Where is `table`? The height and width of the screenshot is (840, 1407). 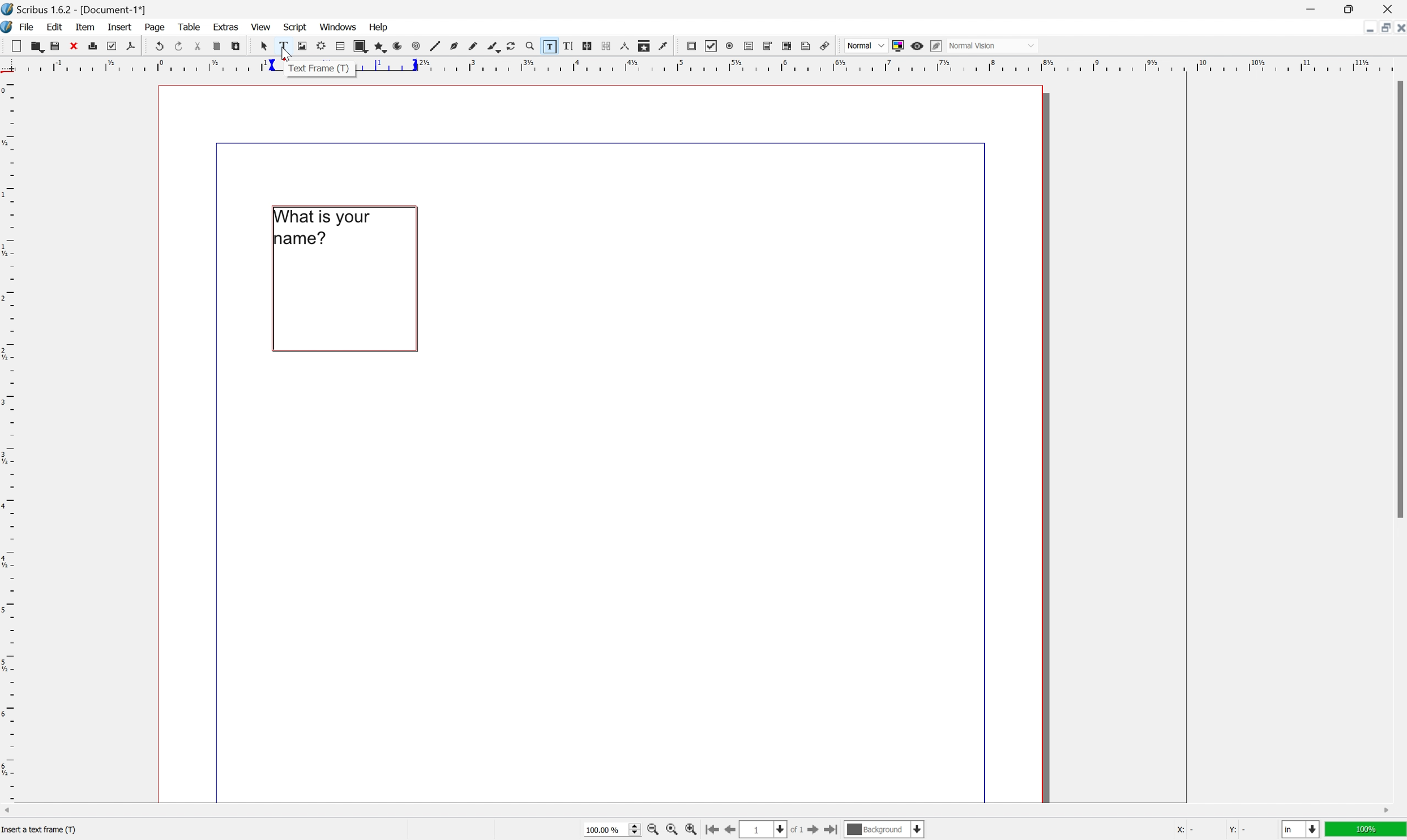
table is located at coordinates (189, 27).